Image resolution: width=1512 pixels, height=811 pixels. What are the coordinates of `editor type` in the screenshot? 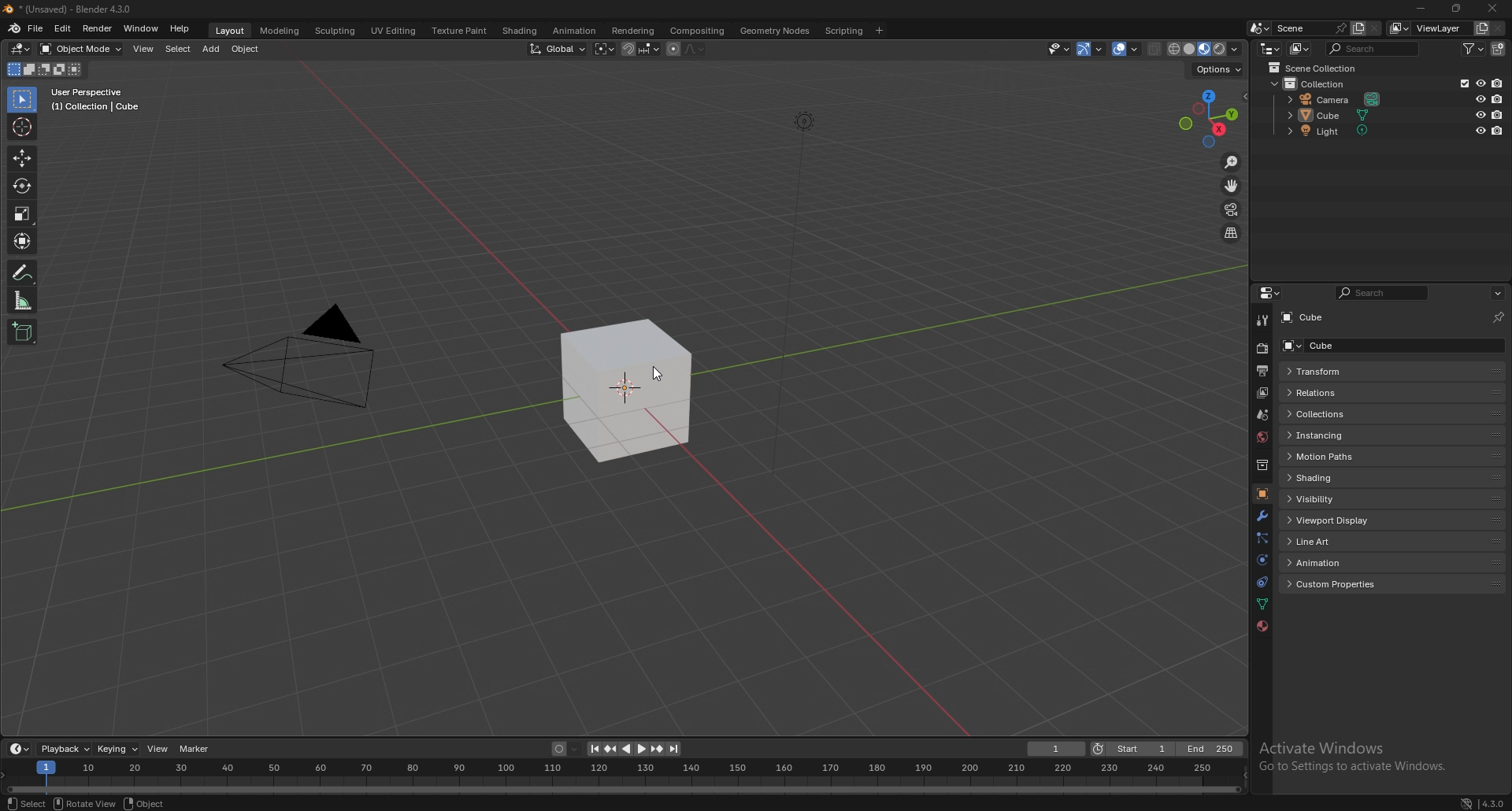 It's located at (1272, 294).